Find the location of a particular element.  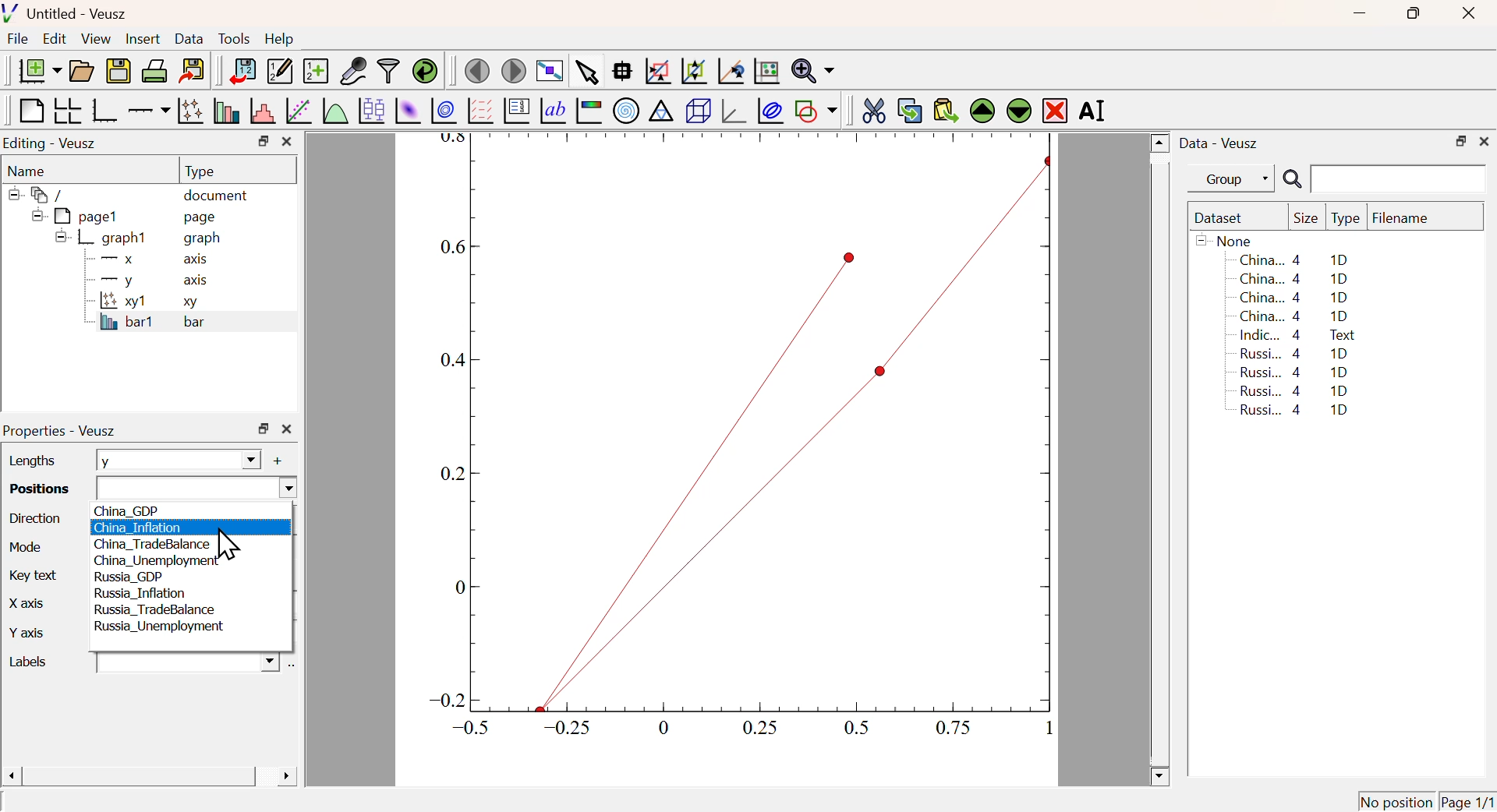

Name is located at coordinates (28, 171).